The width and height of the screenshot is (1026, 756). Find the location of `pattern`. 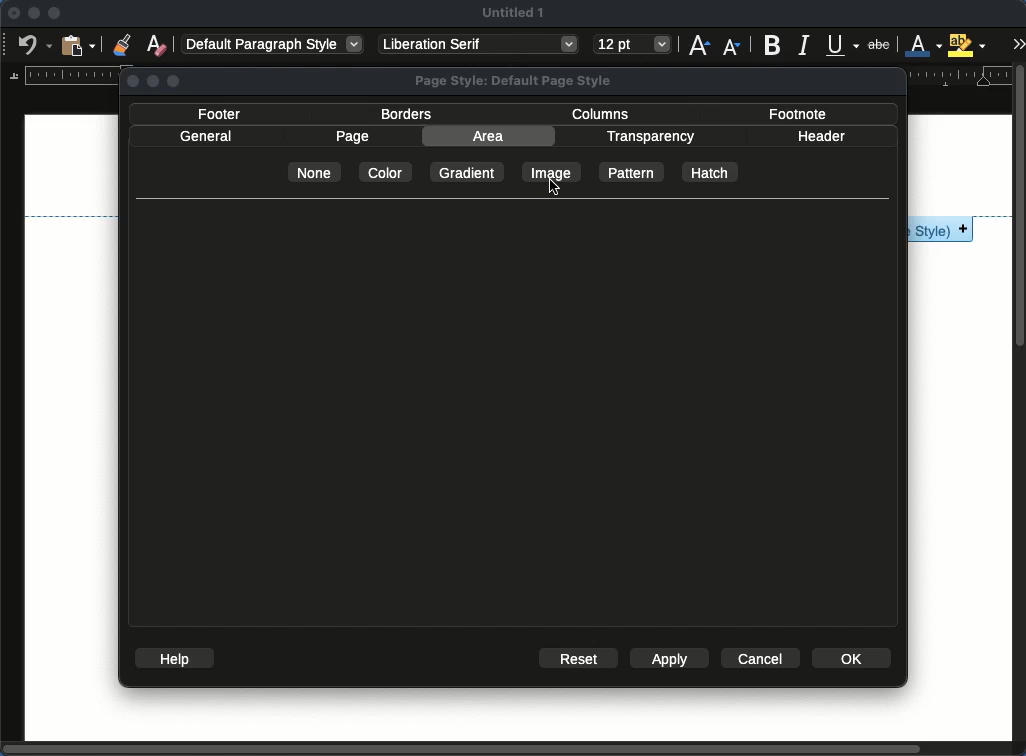

pattern is located at coordinates (632, 171).